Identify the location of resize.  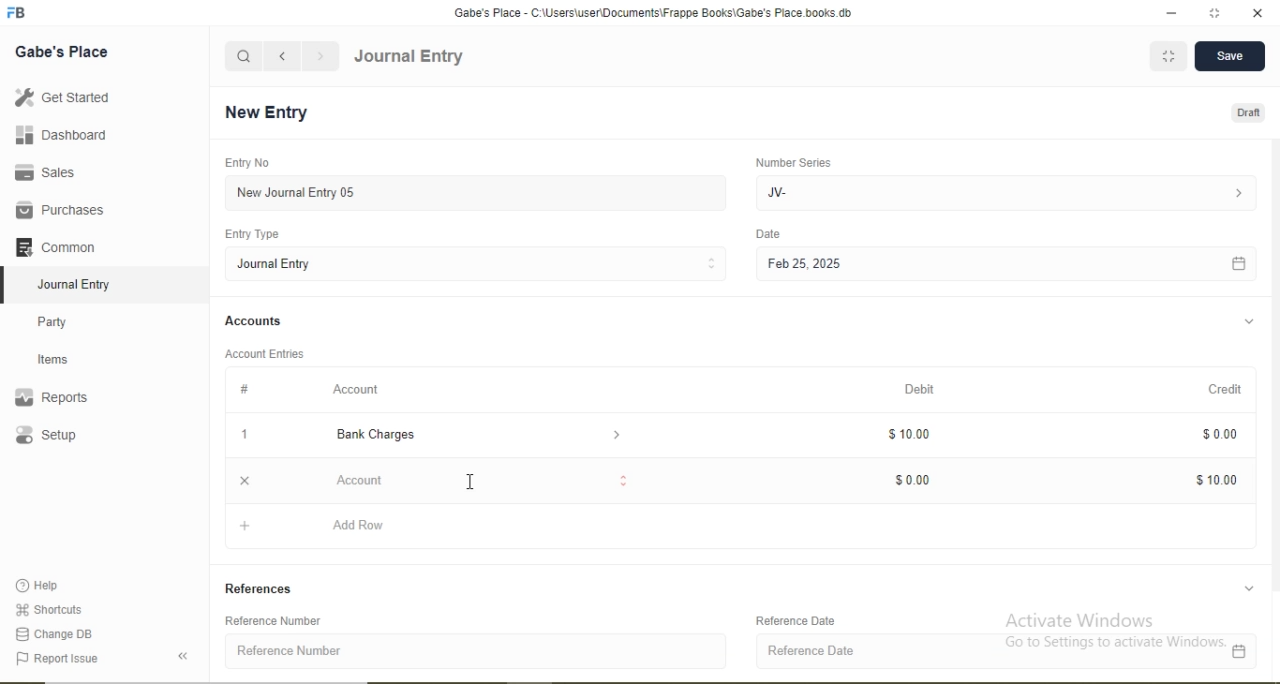
(1212, 13).